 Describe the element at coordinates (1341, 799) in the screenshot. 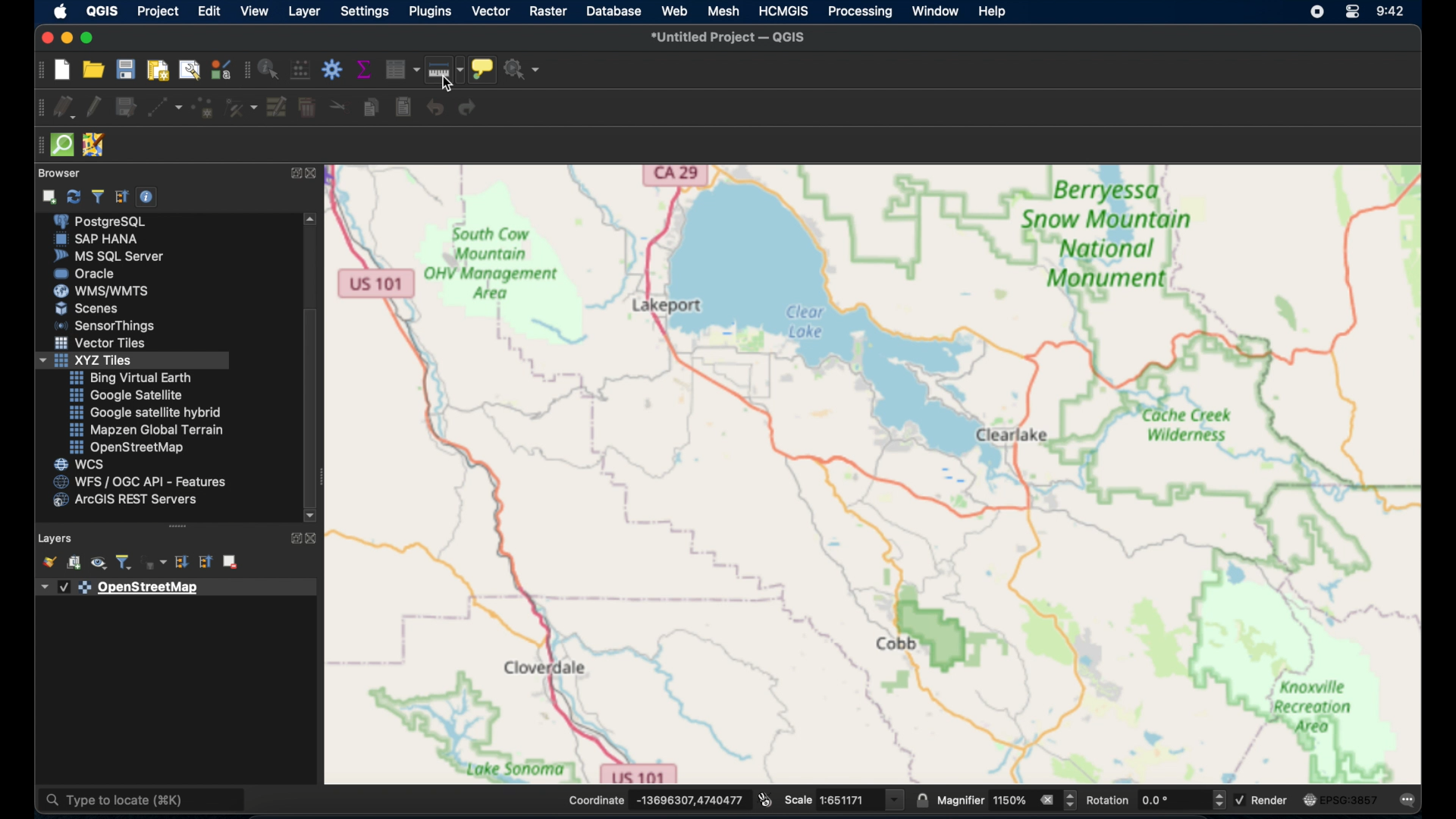

I see `EPSG:3857` at that location.